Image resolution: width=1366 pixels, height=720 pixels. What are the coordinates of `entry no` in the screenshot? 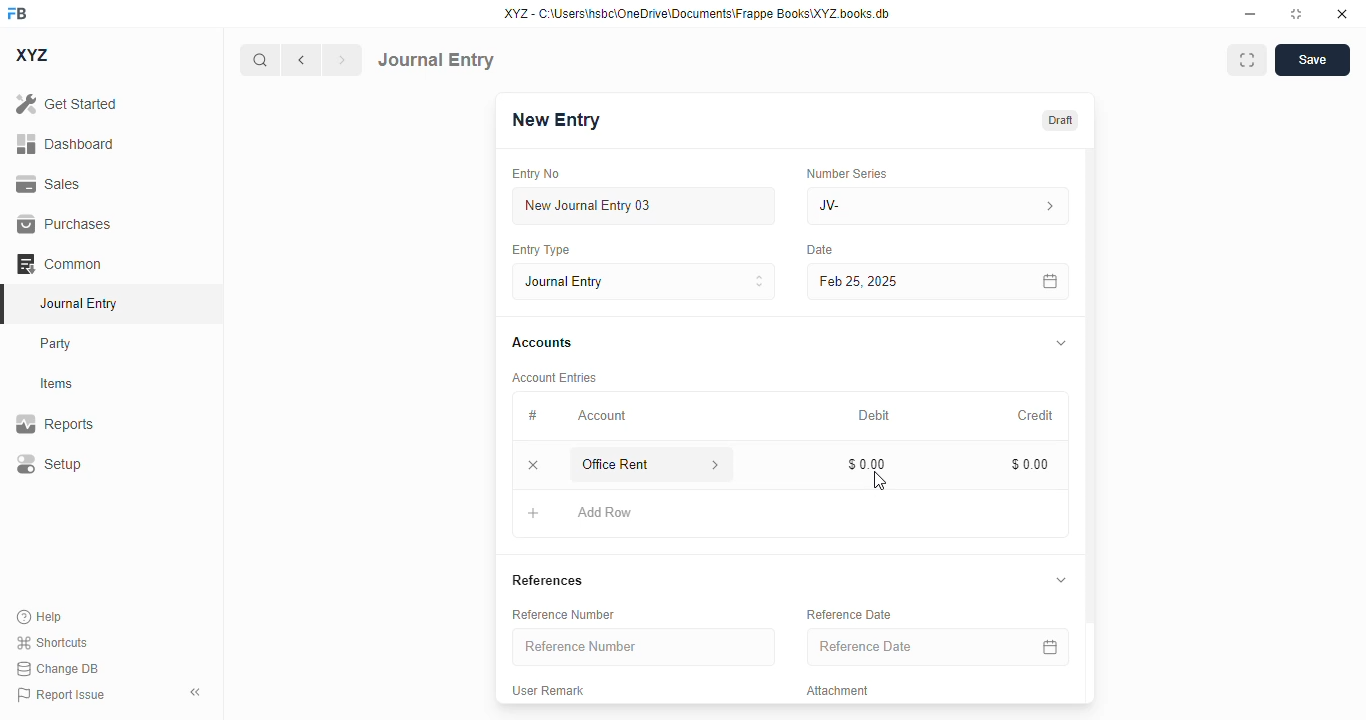 It's located at (536, 174).